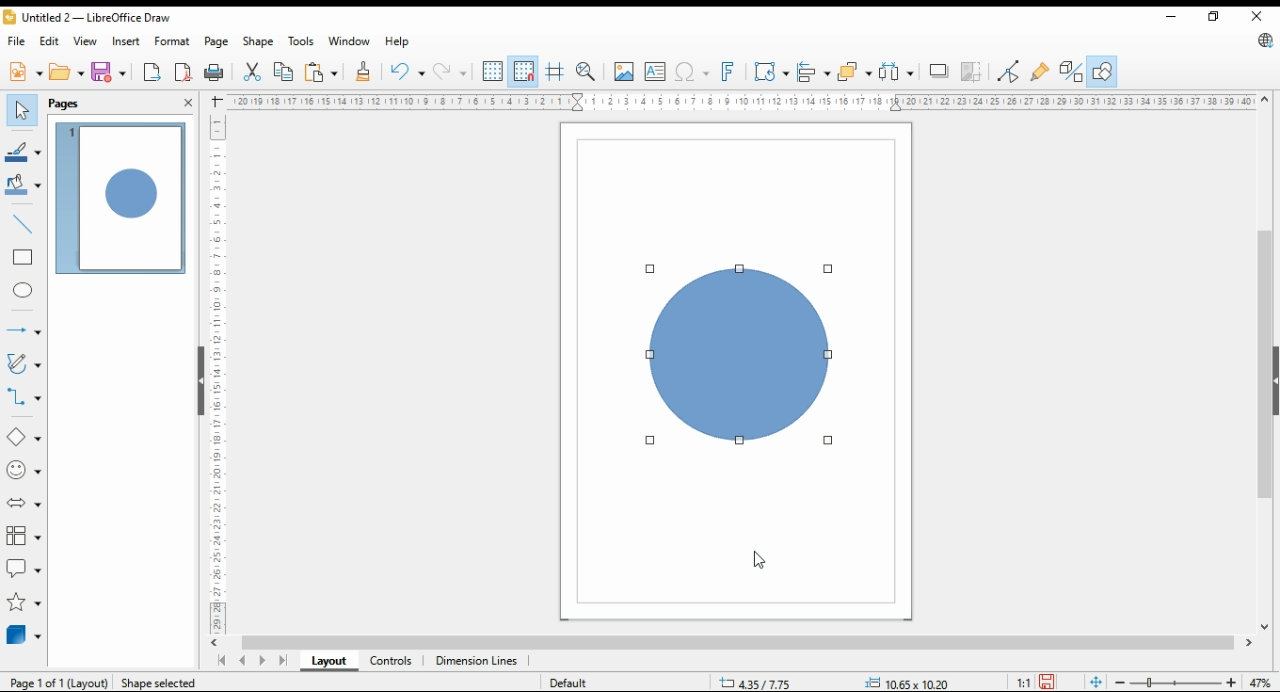  What do you see at coordinates (27, 71) in the screenshot?
I see `new` at bounding box center [27, 71].